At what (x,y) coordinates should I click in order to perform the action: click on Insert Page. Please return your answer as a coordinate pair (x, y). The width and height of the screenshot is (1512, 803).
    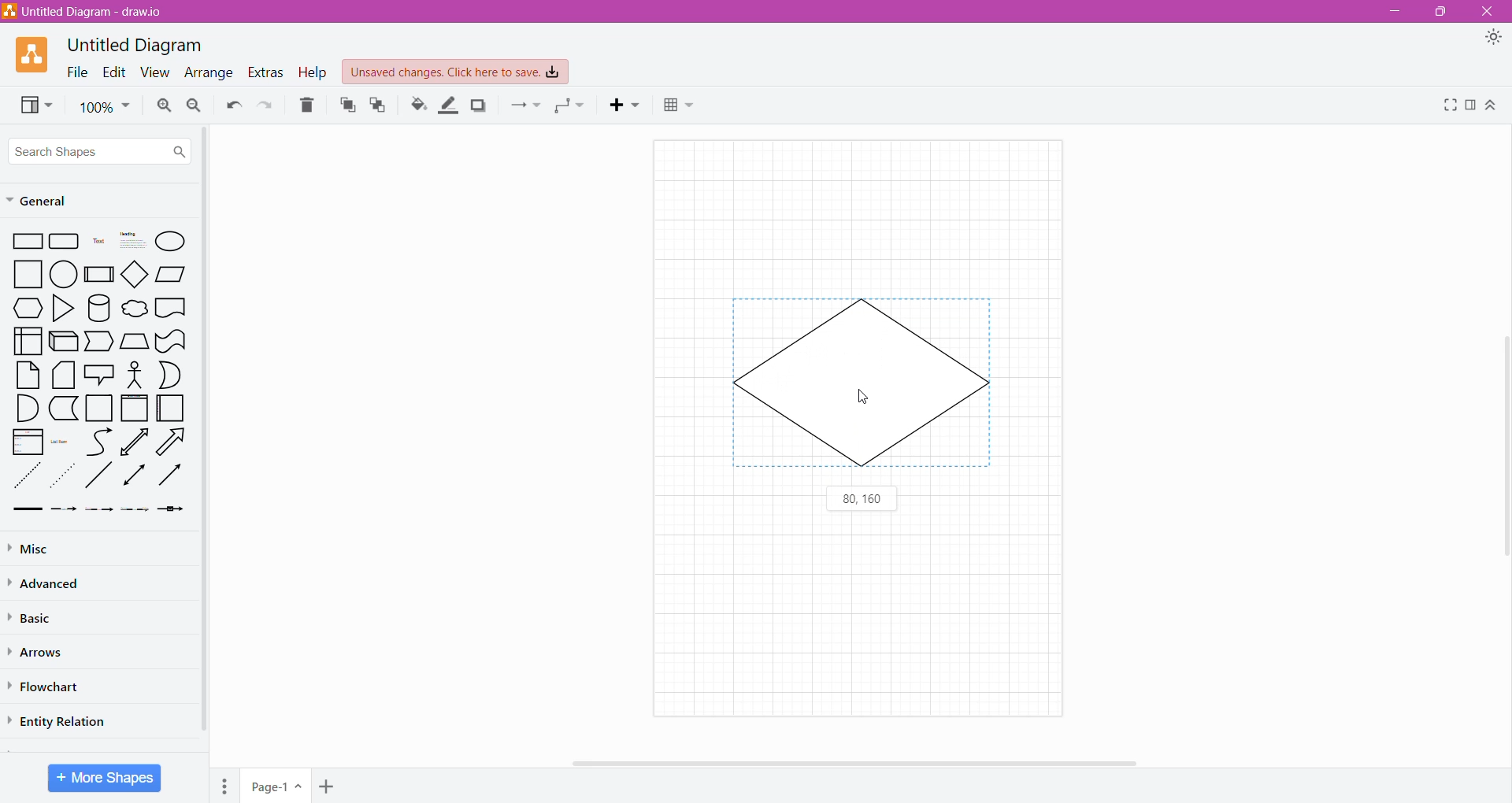
    Looking at the image, I should click on (328, 785).